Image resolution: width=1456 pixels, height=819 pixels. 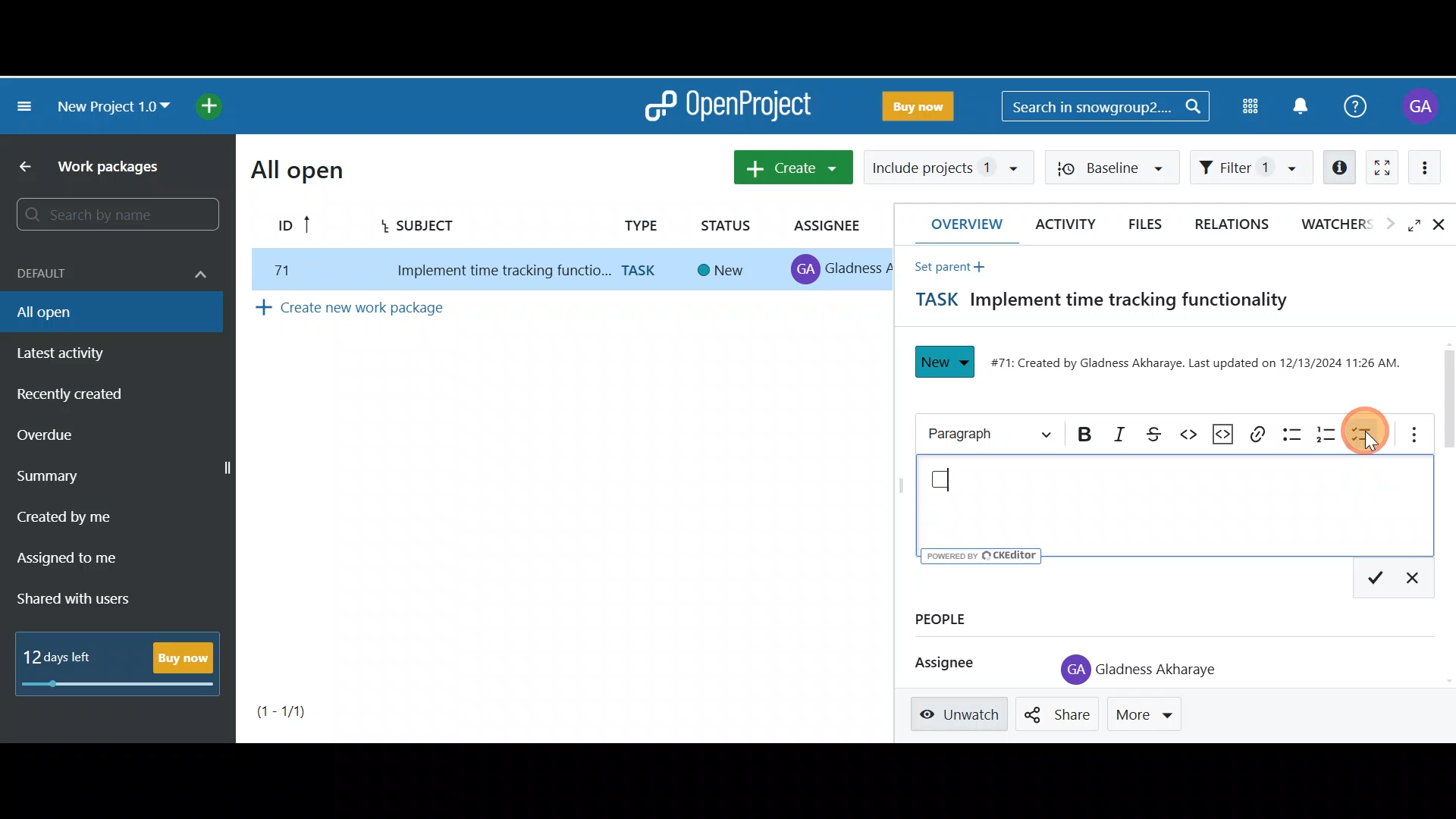 What do you see at coordinates (64, 434) in the screenshot?
I see `Overdue` at bounding box center [64, 434].